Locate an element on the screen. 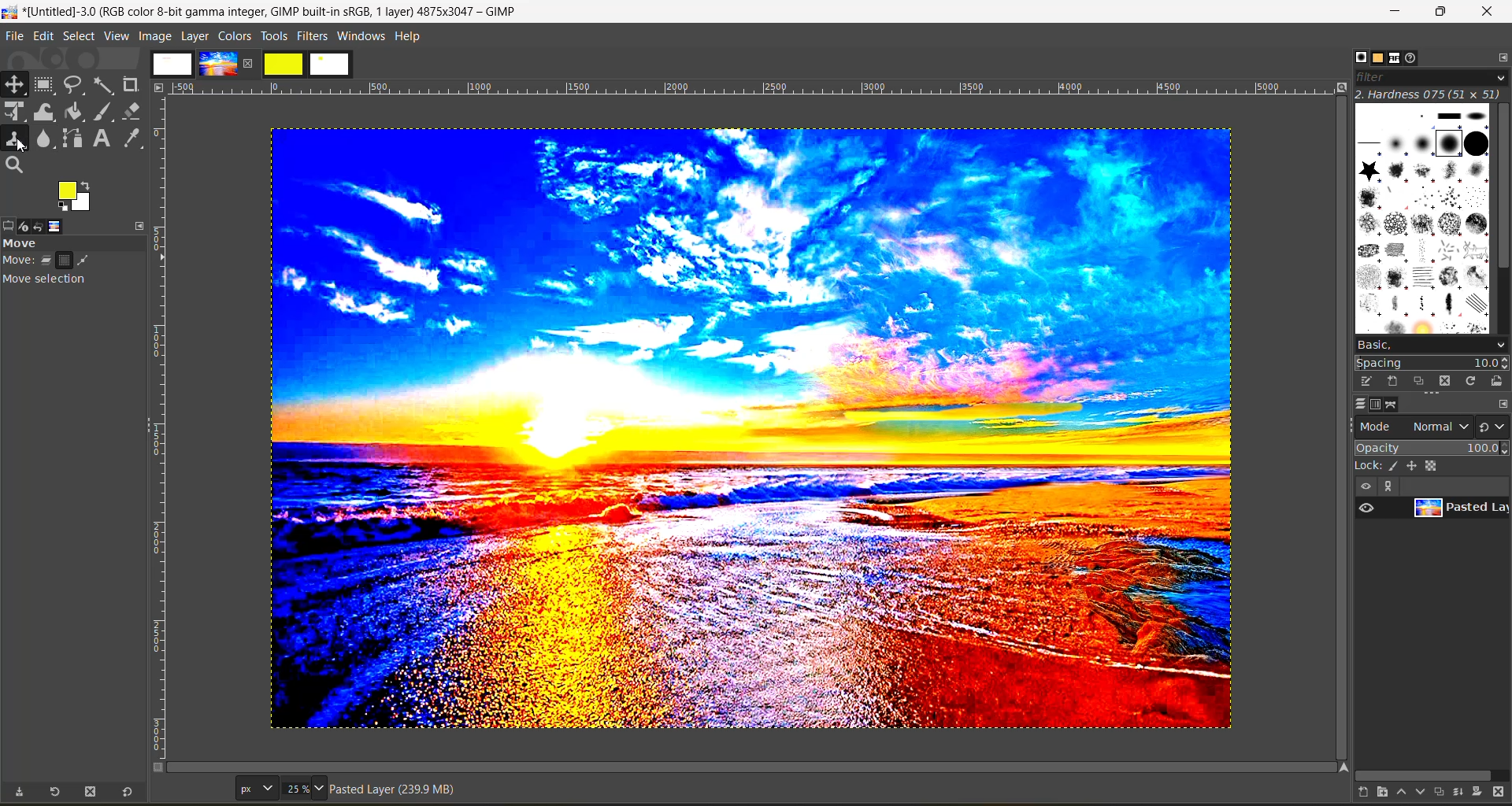 This screenshot has height=806, width=1512. paths is located at coordinates (1399, 405).